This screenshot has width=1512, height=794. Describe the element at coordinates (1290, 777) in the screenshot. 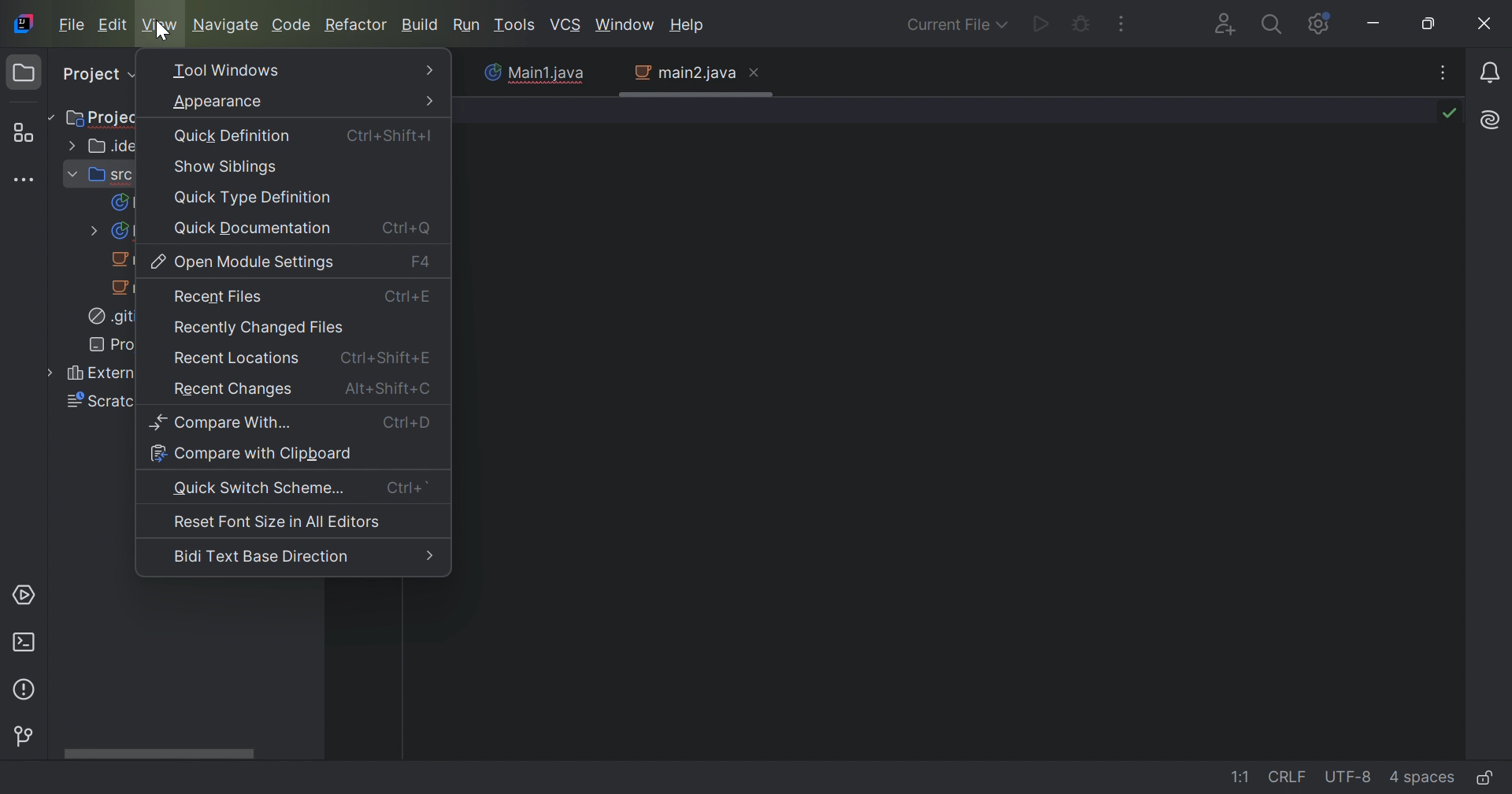

I see `crlf` at that location.